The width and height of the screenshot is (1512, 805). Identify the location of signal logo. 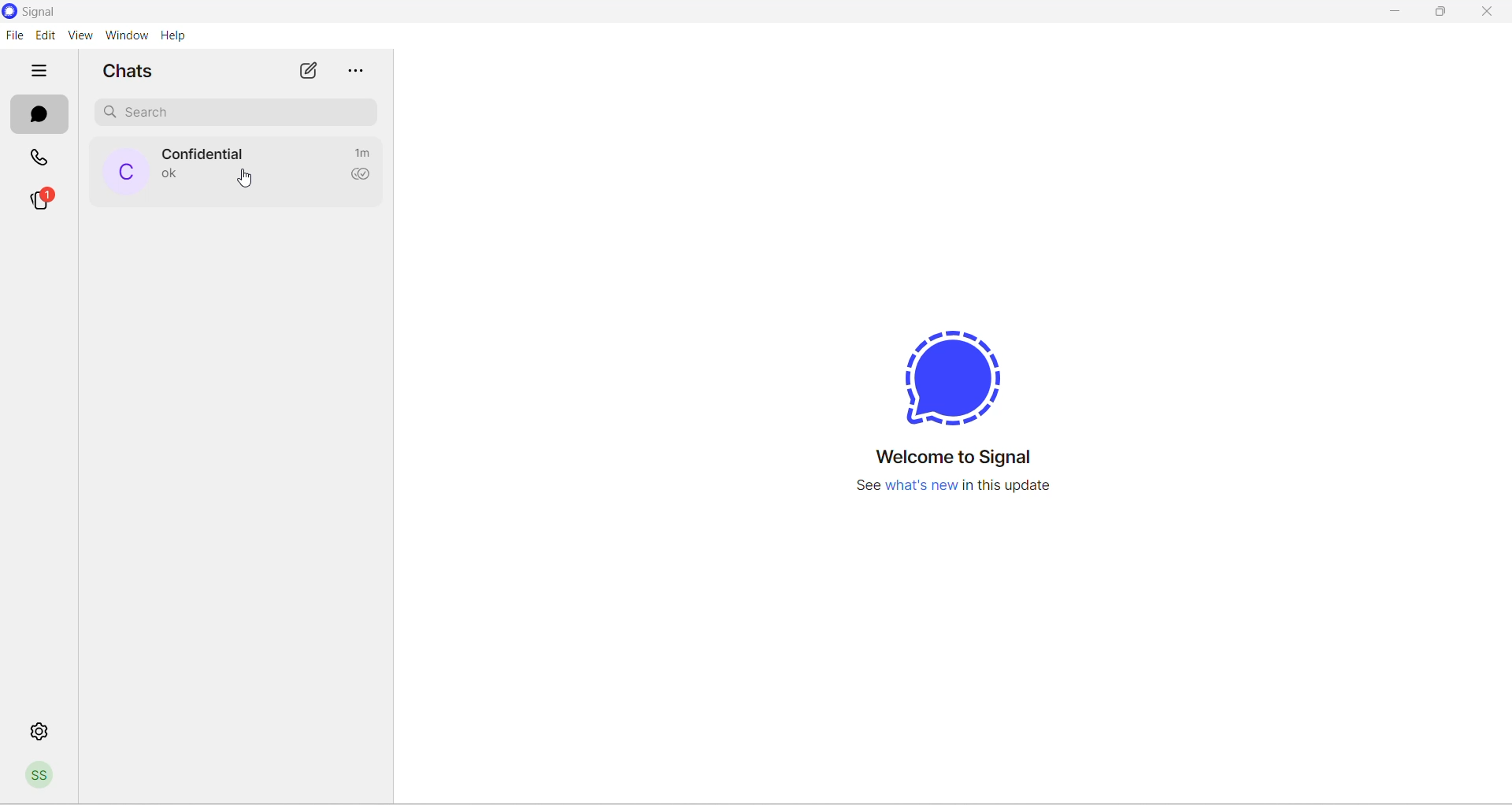
(948, 377).